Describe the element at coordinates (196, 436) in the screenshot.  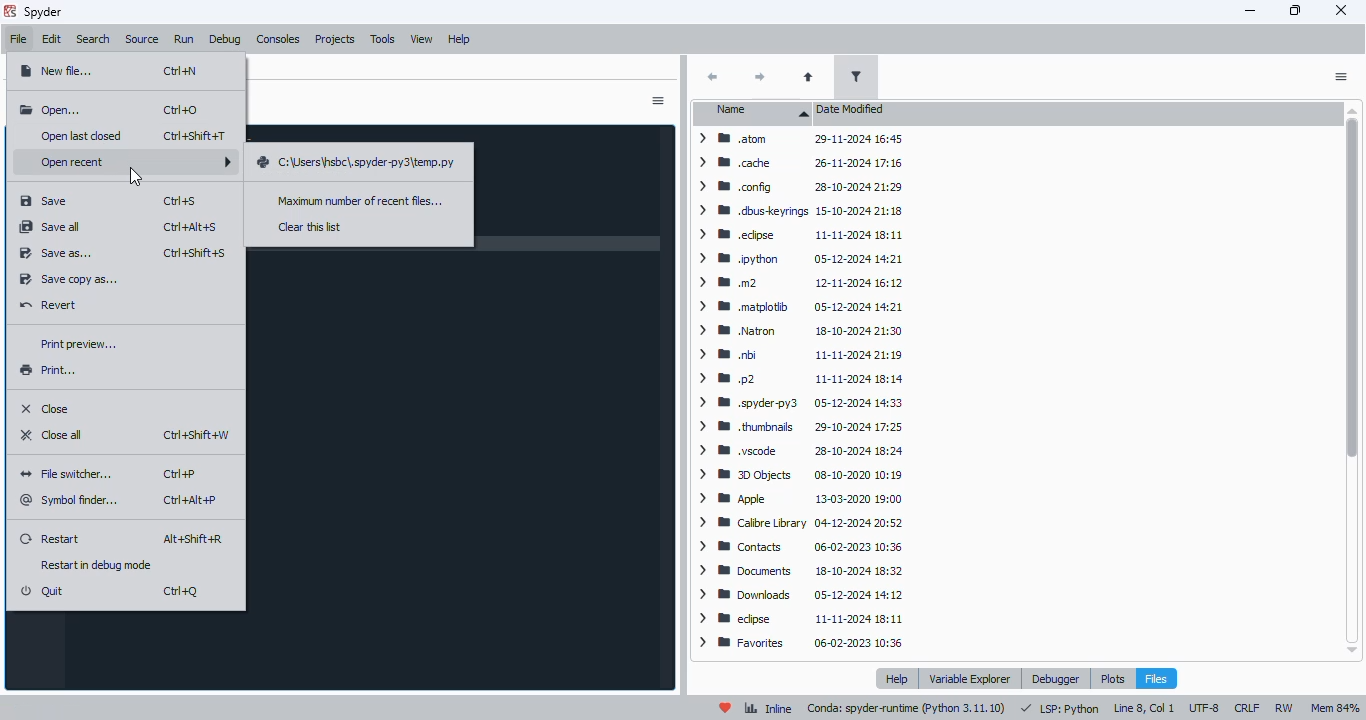
I see `shortcut for close all` at that location.